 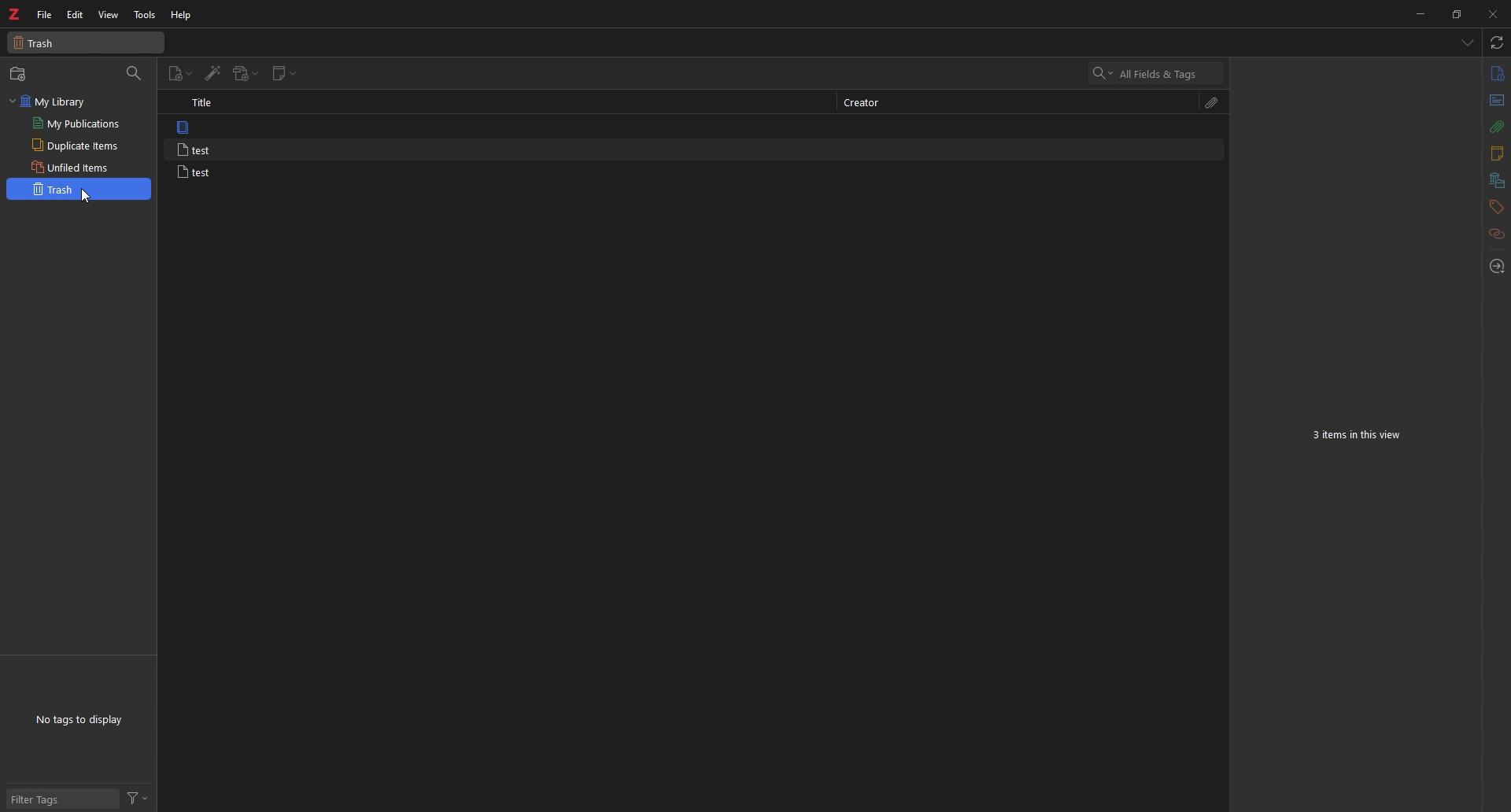 What do you see at coordinates (68, 165) in the screenshot?
I see `Unfiled items` at bounding box center [68, 165].